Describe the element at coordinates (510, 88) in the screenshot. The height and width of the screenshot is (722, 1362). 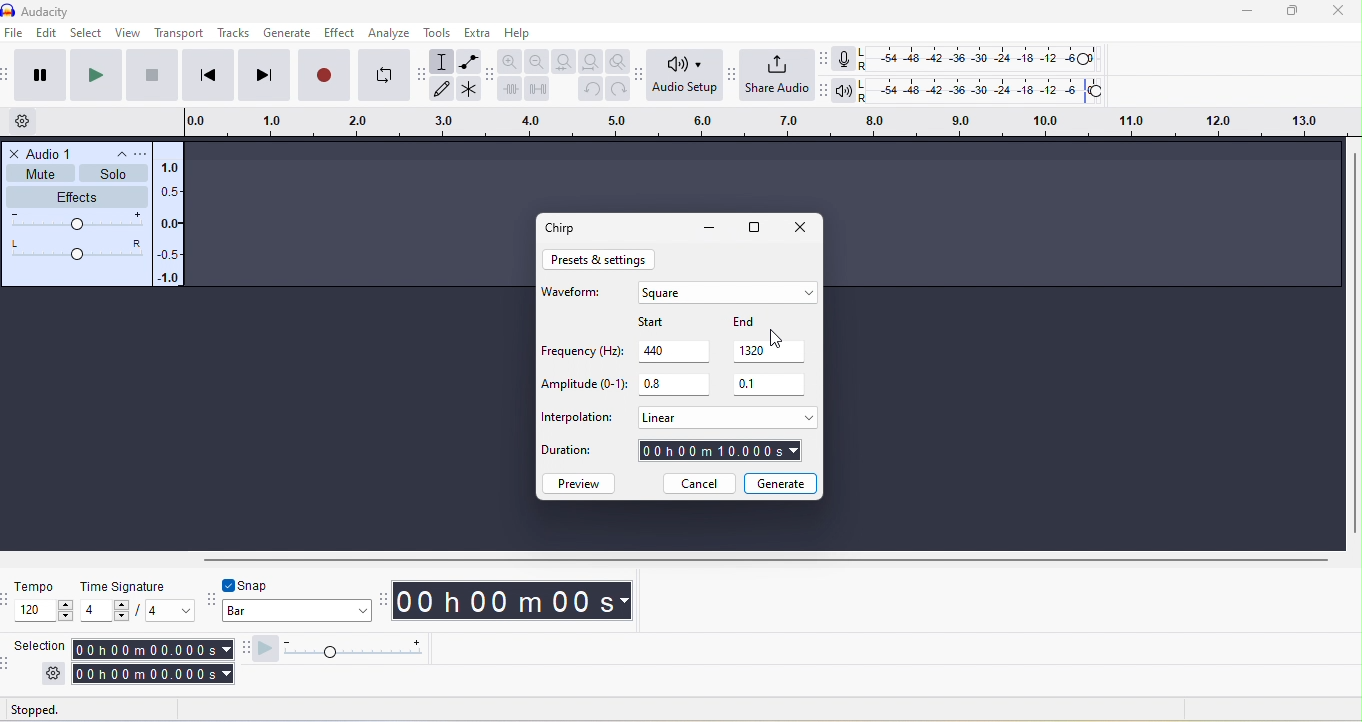
I see `trim audio outside selection` at that location.